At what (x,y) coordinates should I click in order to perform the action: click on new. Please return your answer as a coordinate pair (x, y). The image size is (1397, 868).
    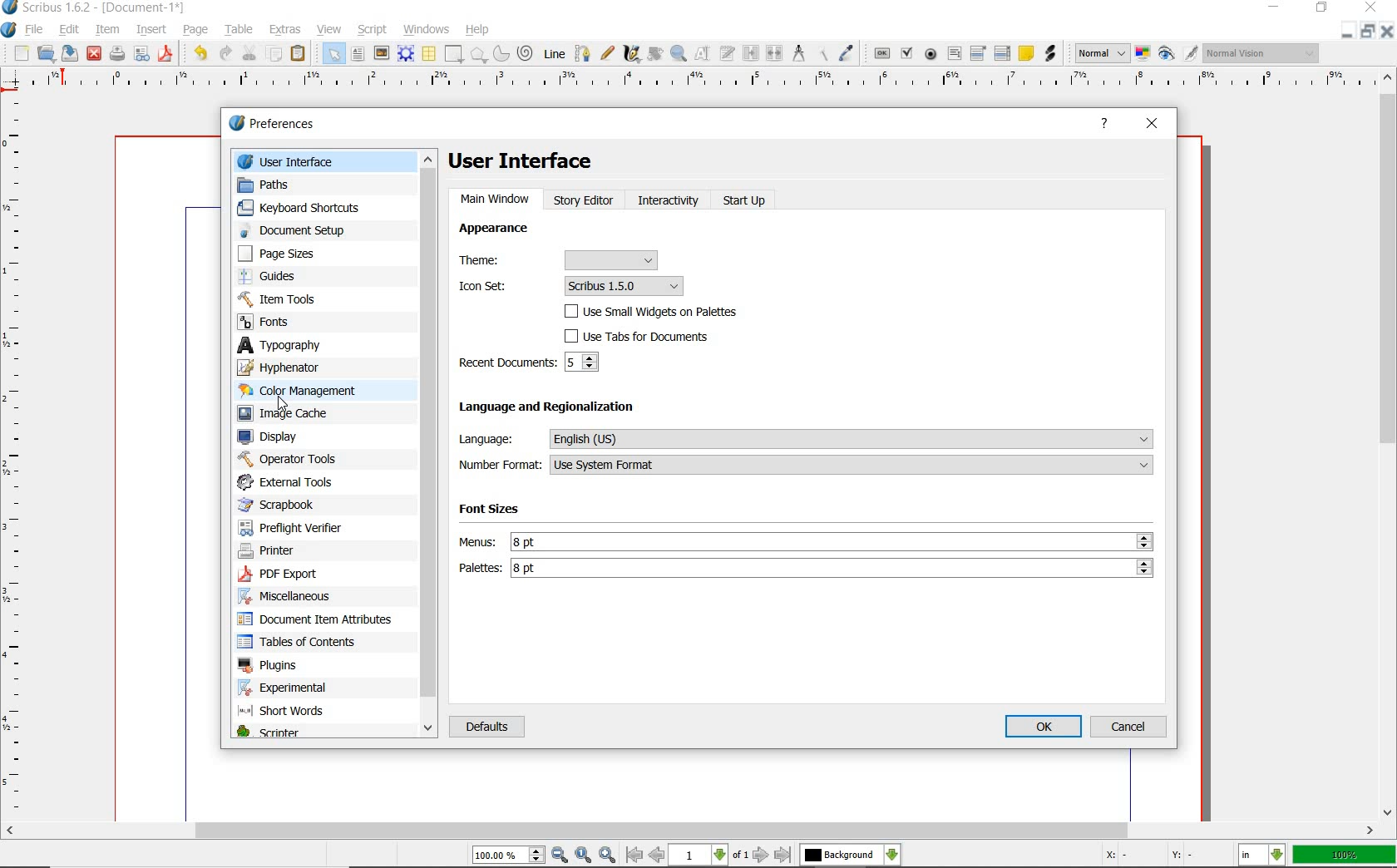
    Looking at the image, I should click on (21, 54).